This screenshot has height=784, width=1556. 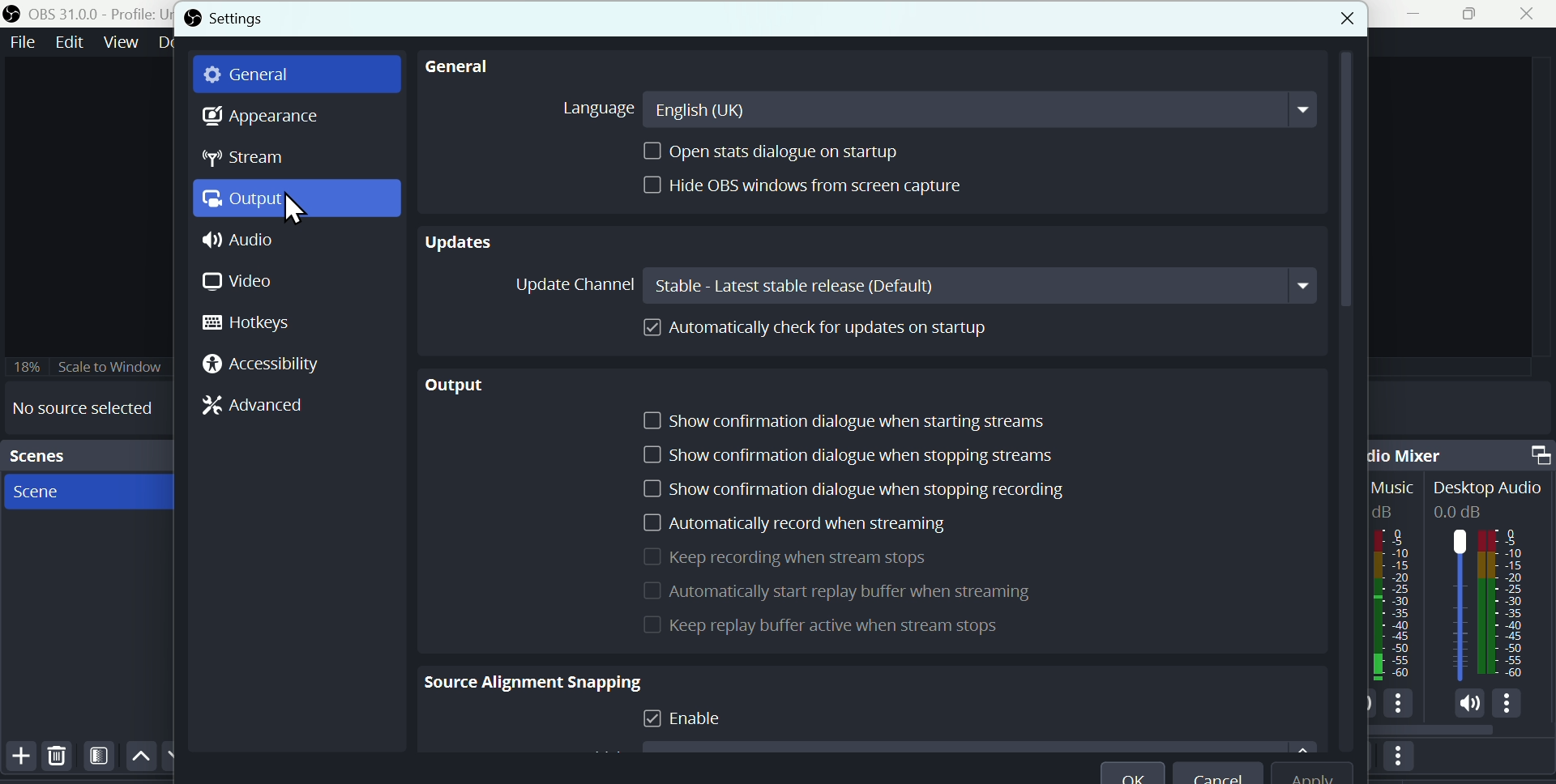 What do you see at coordinates (229, 16) in the screenshot?
I see `Settings` at bounding box center [229, 16].